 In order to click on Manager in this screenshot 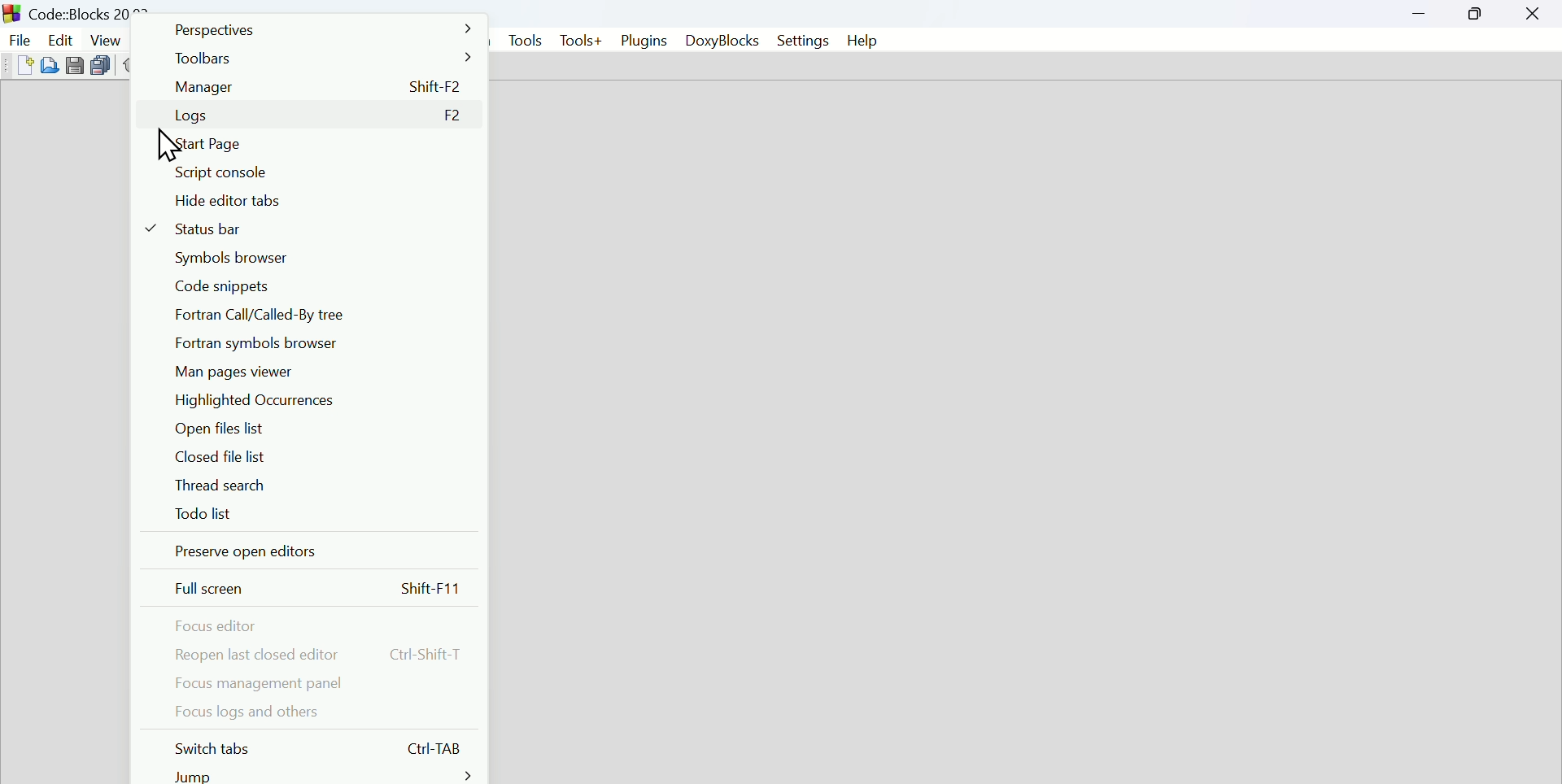, I will do `click(320, 87)`.